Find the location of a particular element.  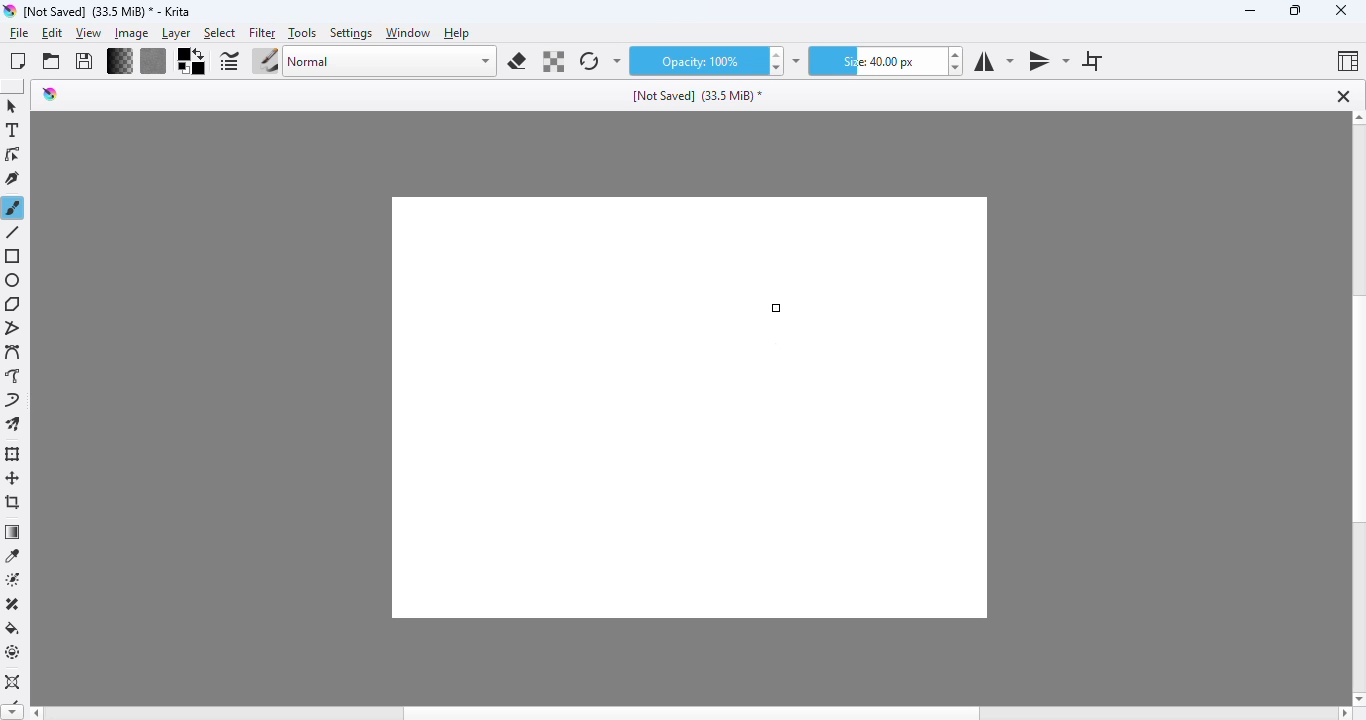

ellipse tool is located at coordinates (14, 281).